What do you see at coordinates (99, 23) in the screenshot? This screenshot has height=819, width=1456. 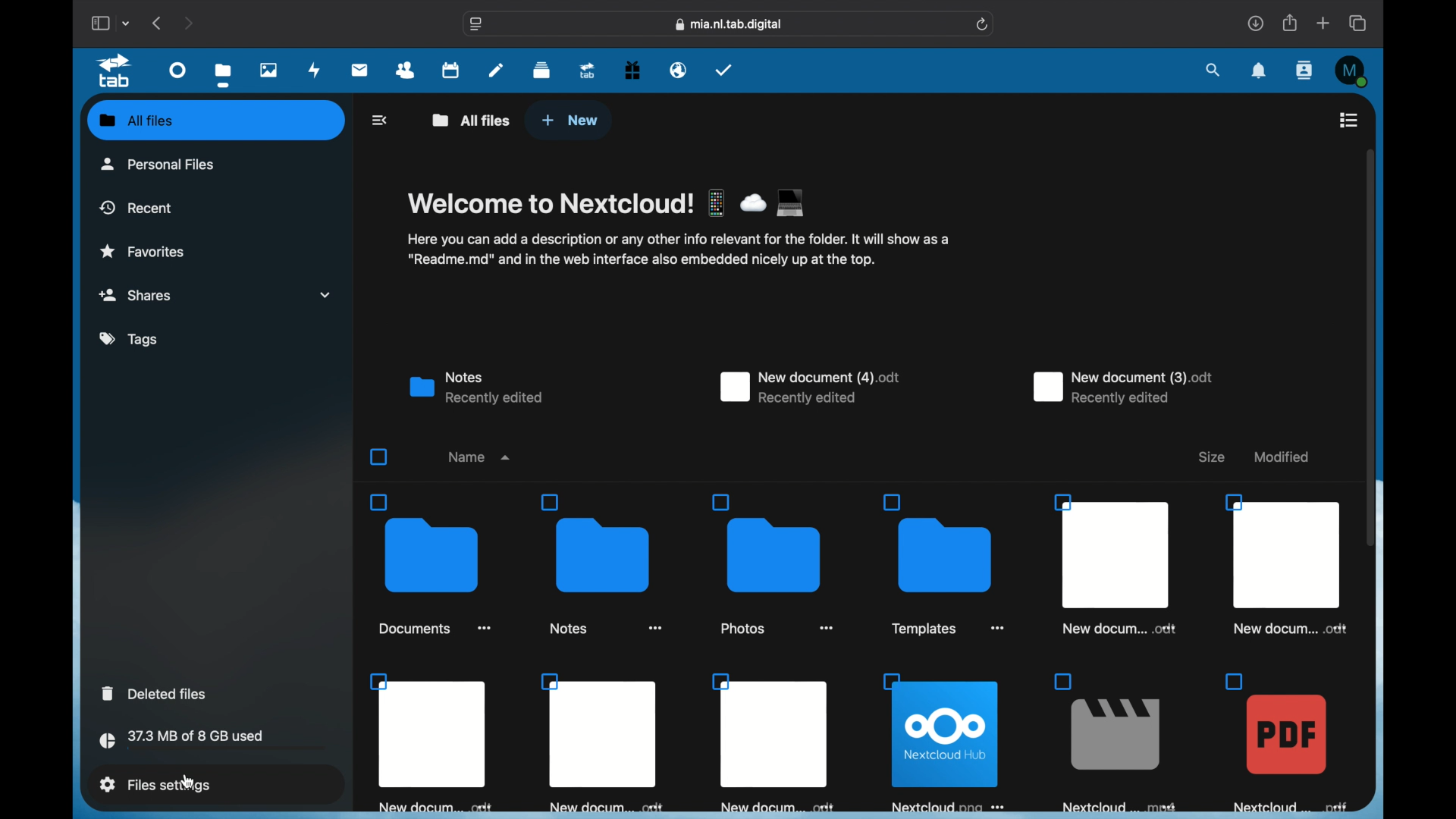 I see `show sidebar` at bounding box center [99, 23].